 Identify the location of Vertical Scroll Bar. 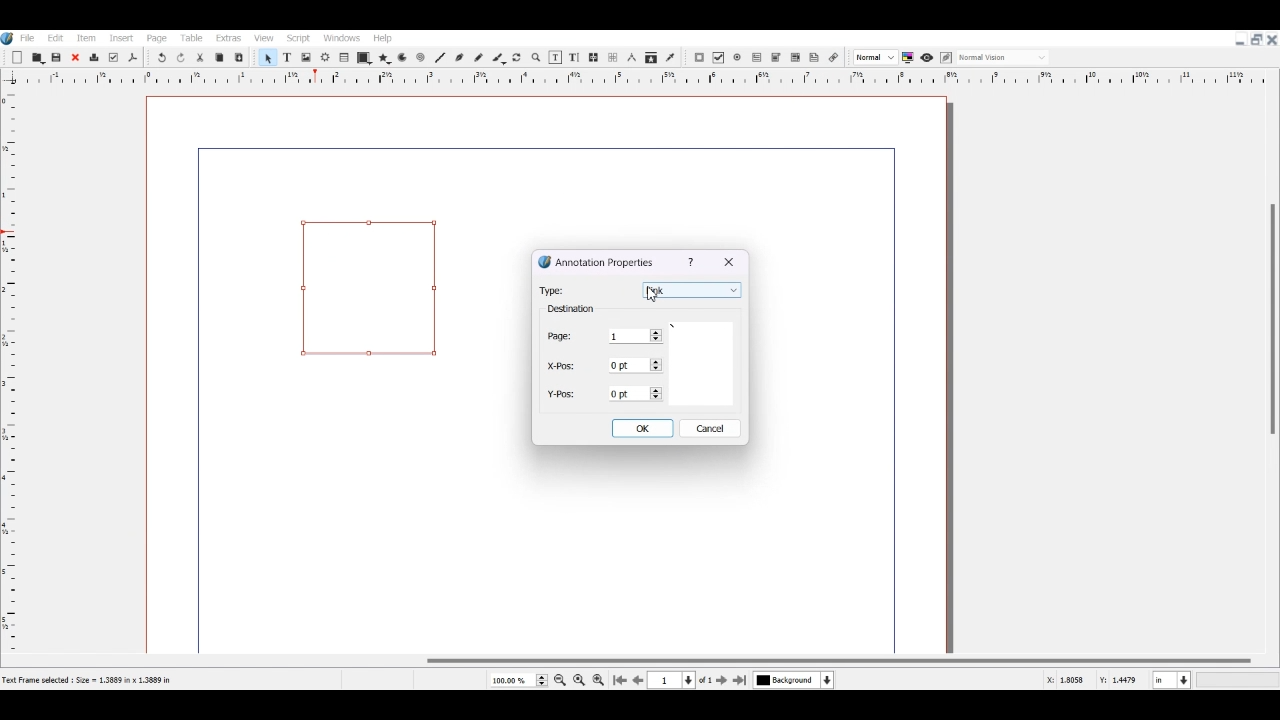
(1271, 360).